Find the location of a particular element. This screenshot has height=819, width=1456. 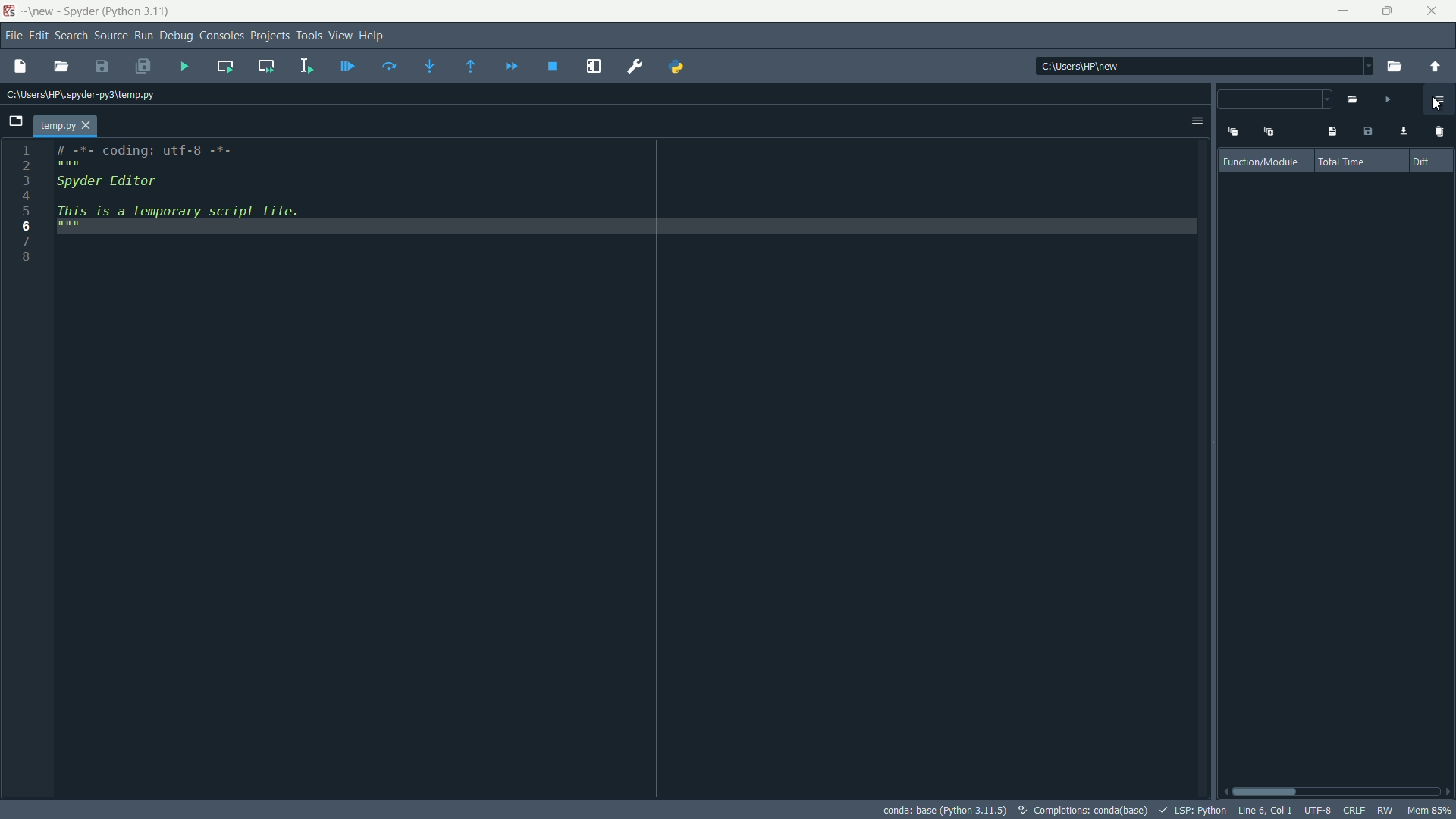

load profiling for comparison is located at coordinates (1401, 132).